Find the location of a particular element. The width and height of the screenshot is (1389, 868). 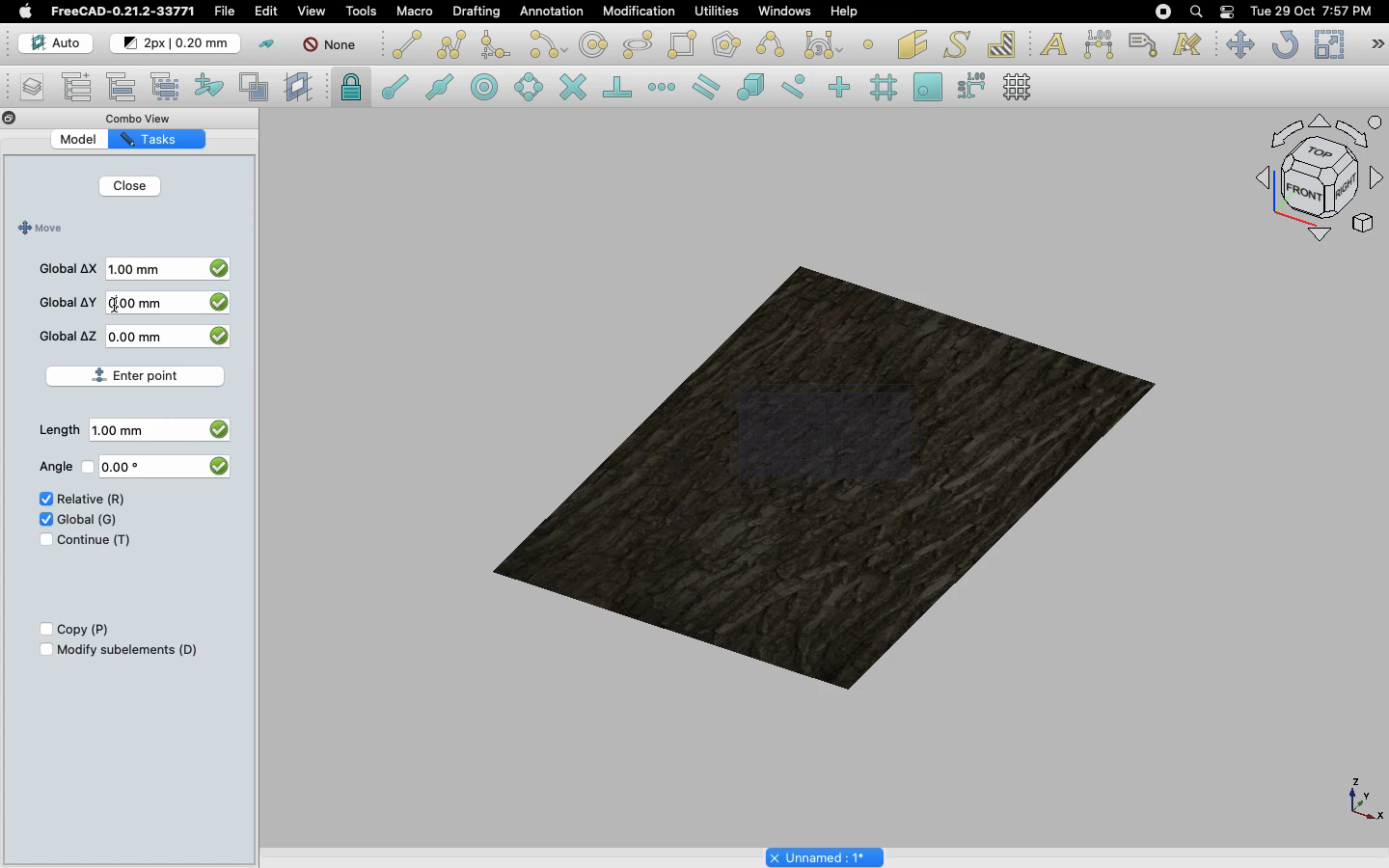

0.00 mm is located at coordinates (138, 303).